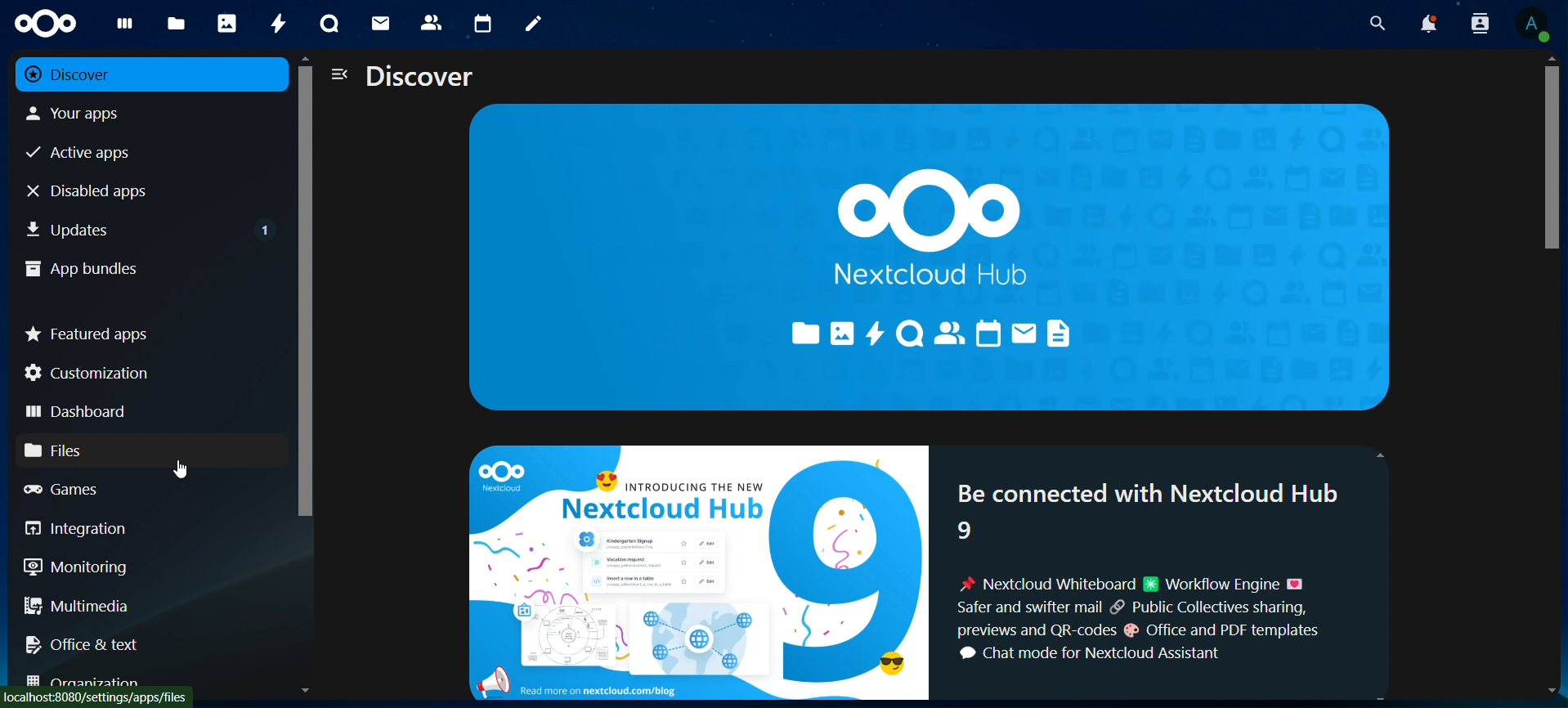  I want to click on activity, so click(276, 24).